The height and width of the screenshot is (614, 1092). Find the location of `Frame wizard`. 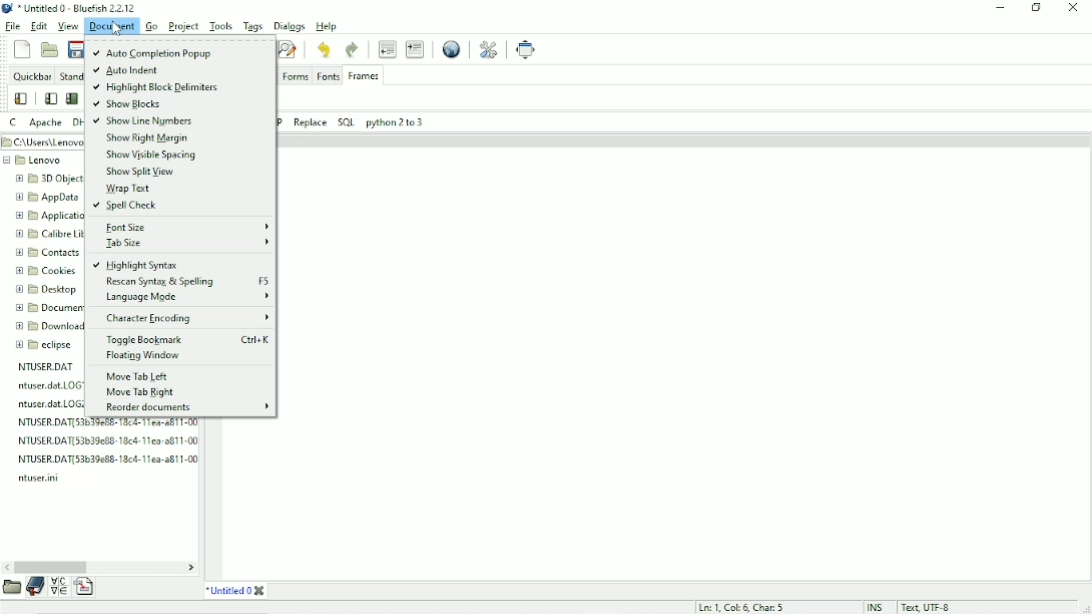

Frame wizard is located at coordinates (21, 99).